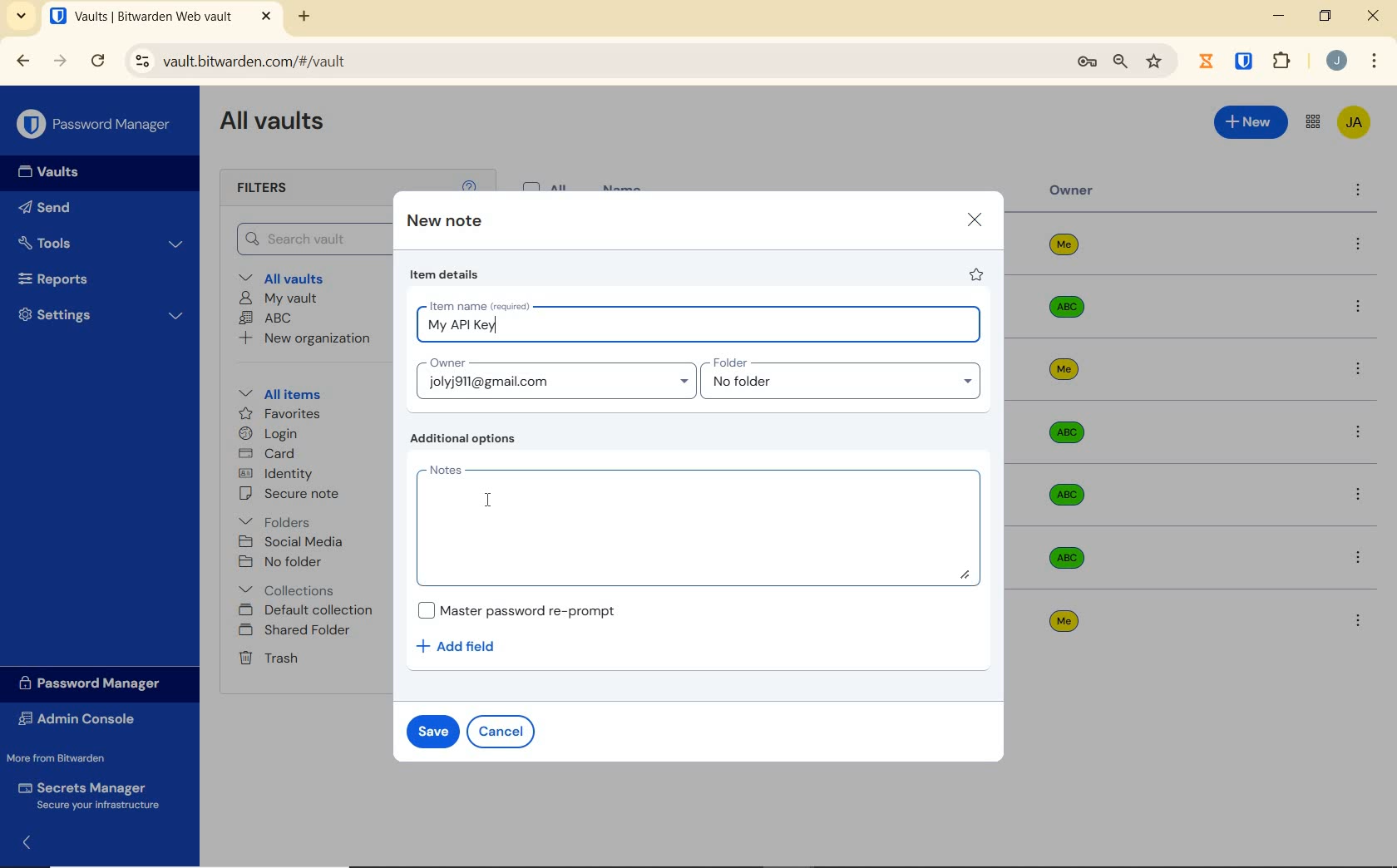 Image resolution: width=1397 pixels, height=868 pixels. What do you see at coordinates (975, 219) in the screenshot?
I see `close` at bounding box center [975, 219].